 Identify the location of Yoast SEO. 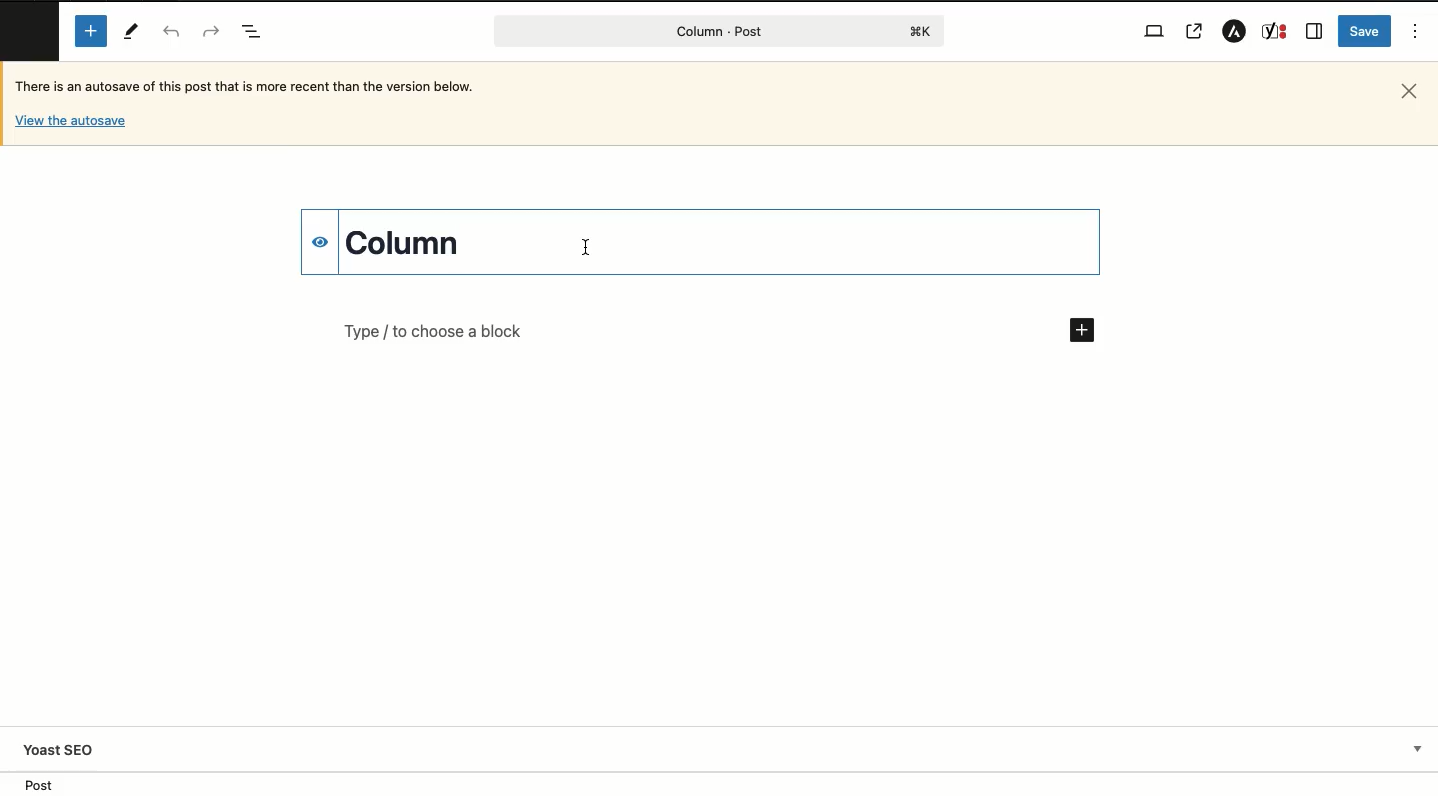
(725, 749).